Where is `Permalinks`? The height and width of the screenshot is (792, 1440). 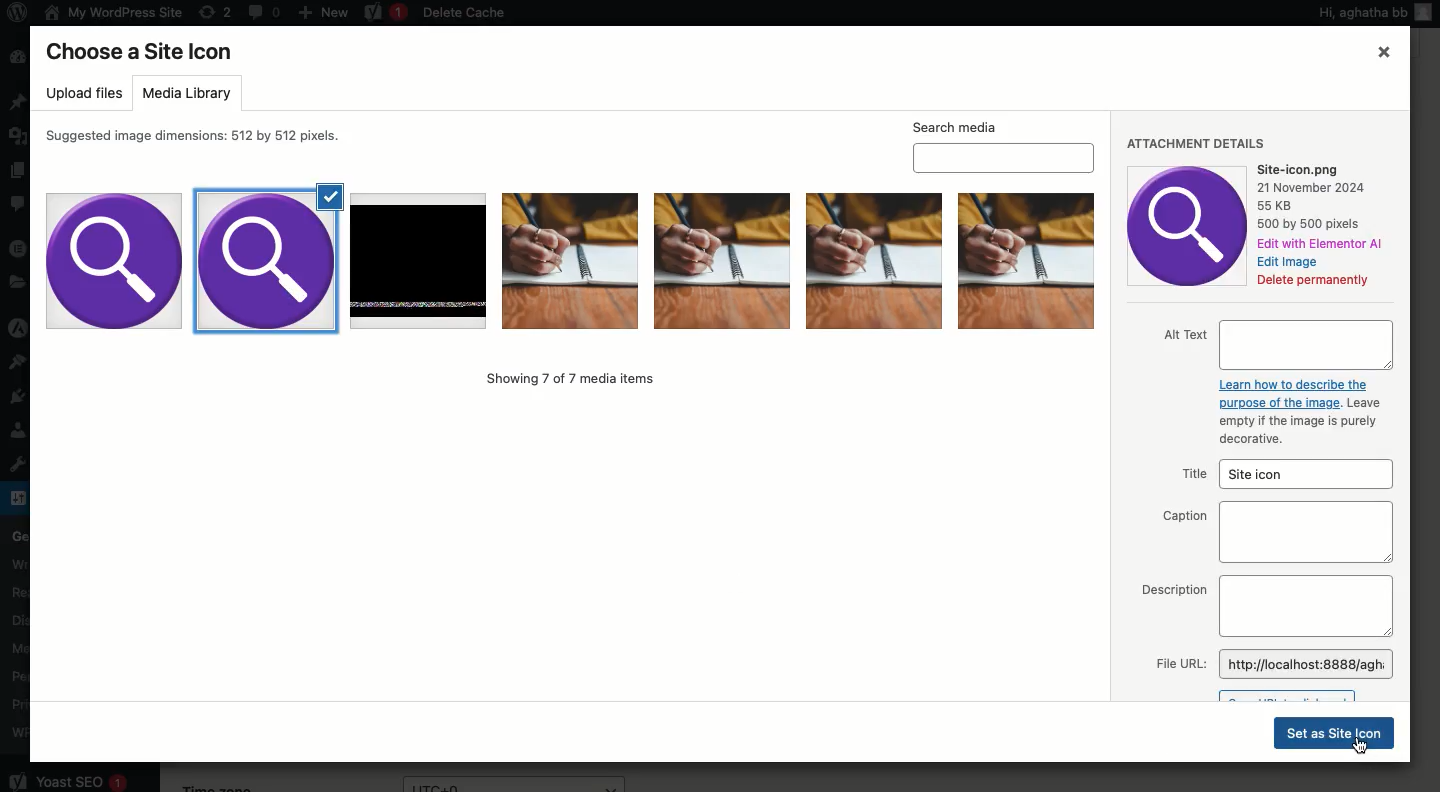 Permalinks is located at coordinates (25, 676).